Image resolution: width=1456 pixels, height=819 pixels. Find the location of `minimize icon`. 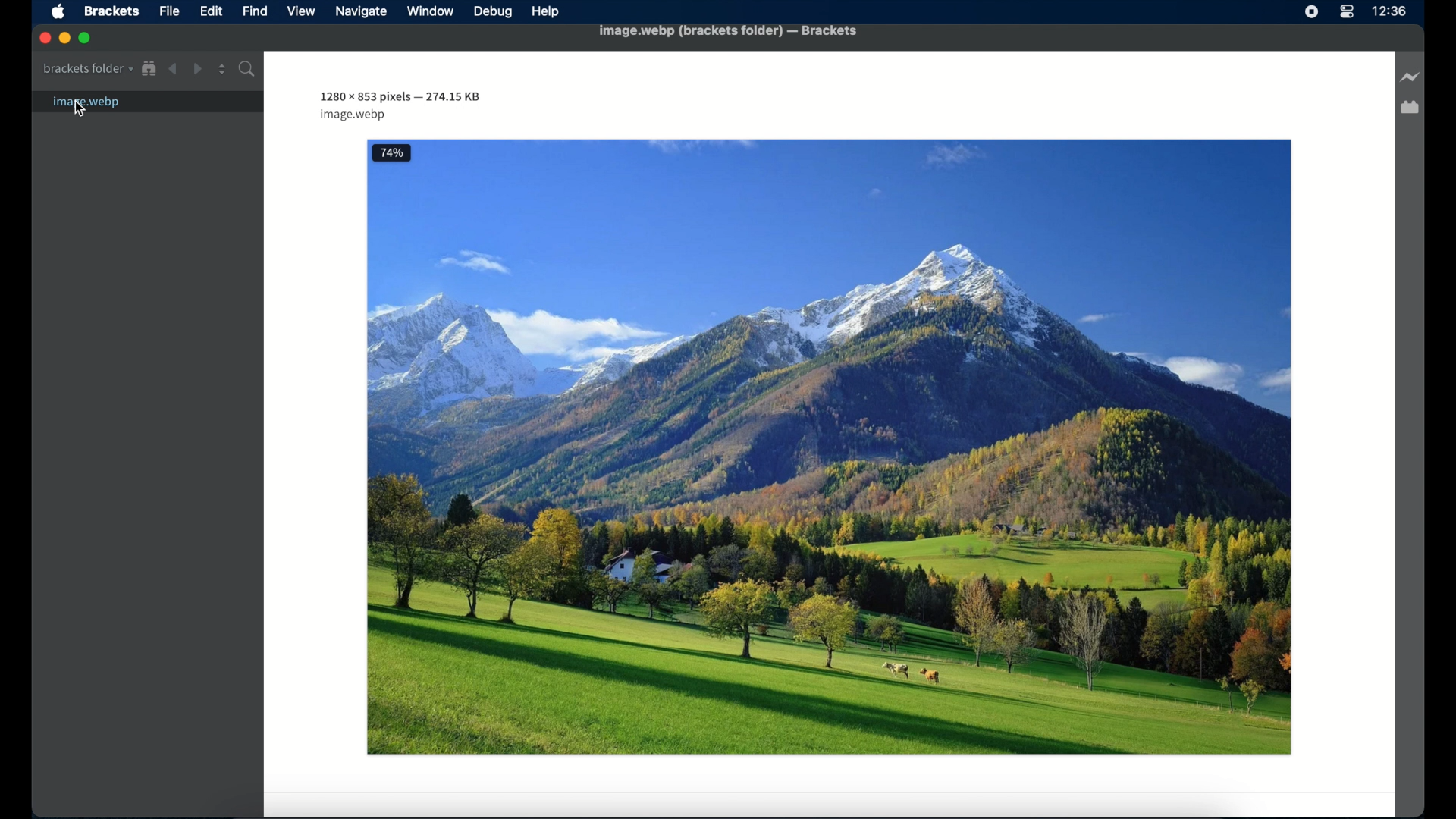

minimize icon is located at coordinates (64, 39).